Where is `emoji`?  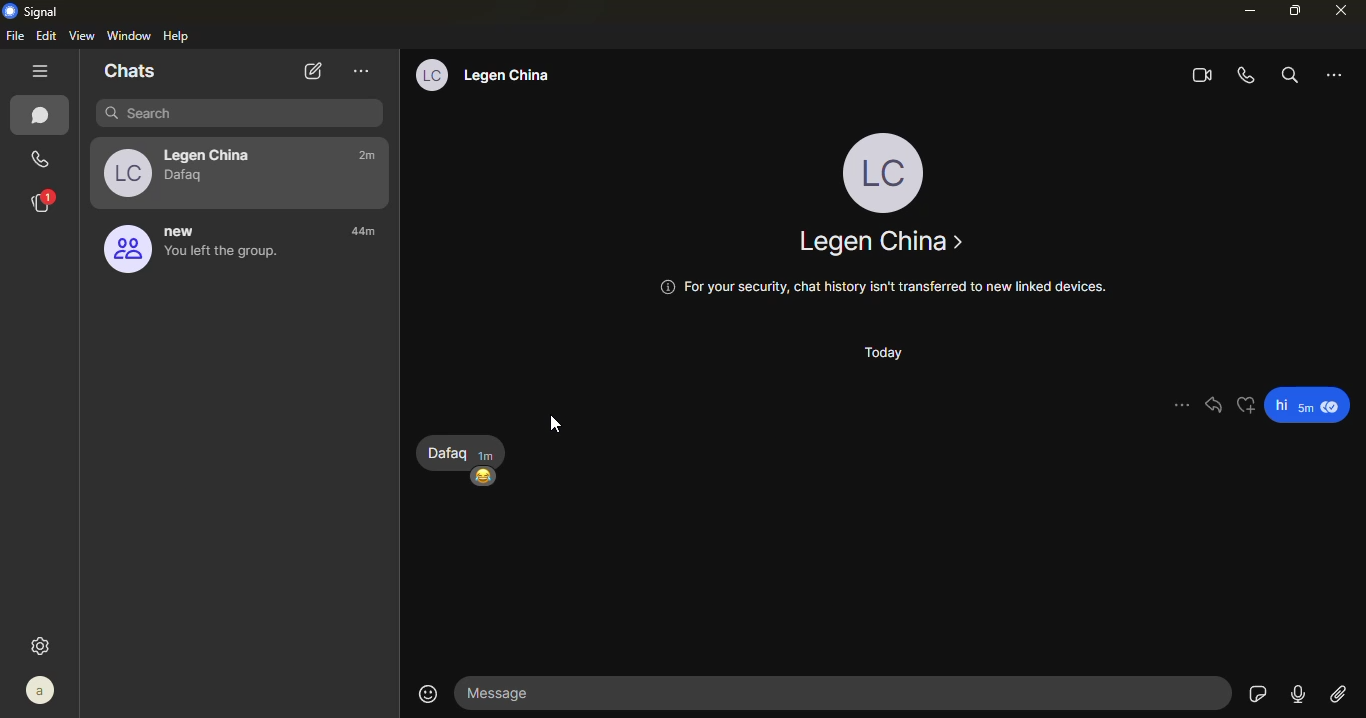 emoji is located at coordinates (428, 694).